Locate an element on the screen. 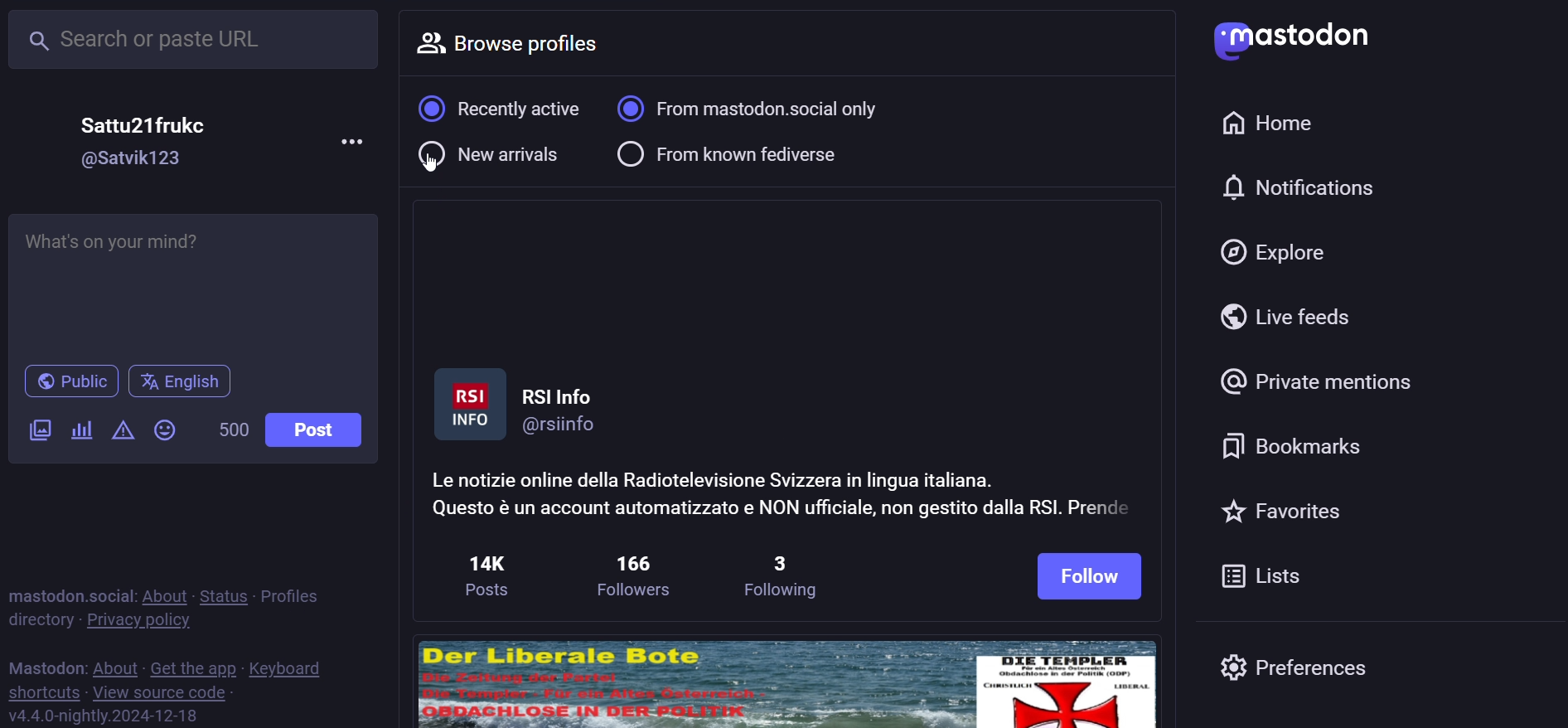 Image resolution: width=1568 pixels, height=728 pixels. from known fediverse is located at coordinates (738, 157).